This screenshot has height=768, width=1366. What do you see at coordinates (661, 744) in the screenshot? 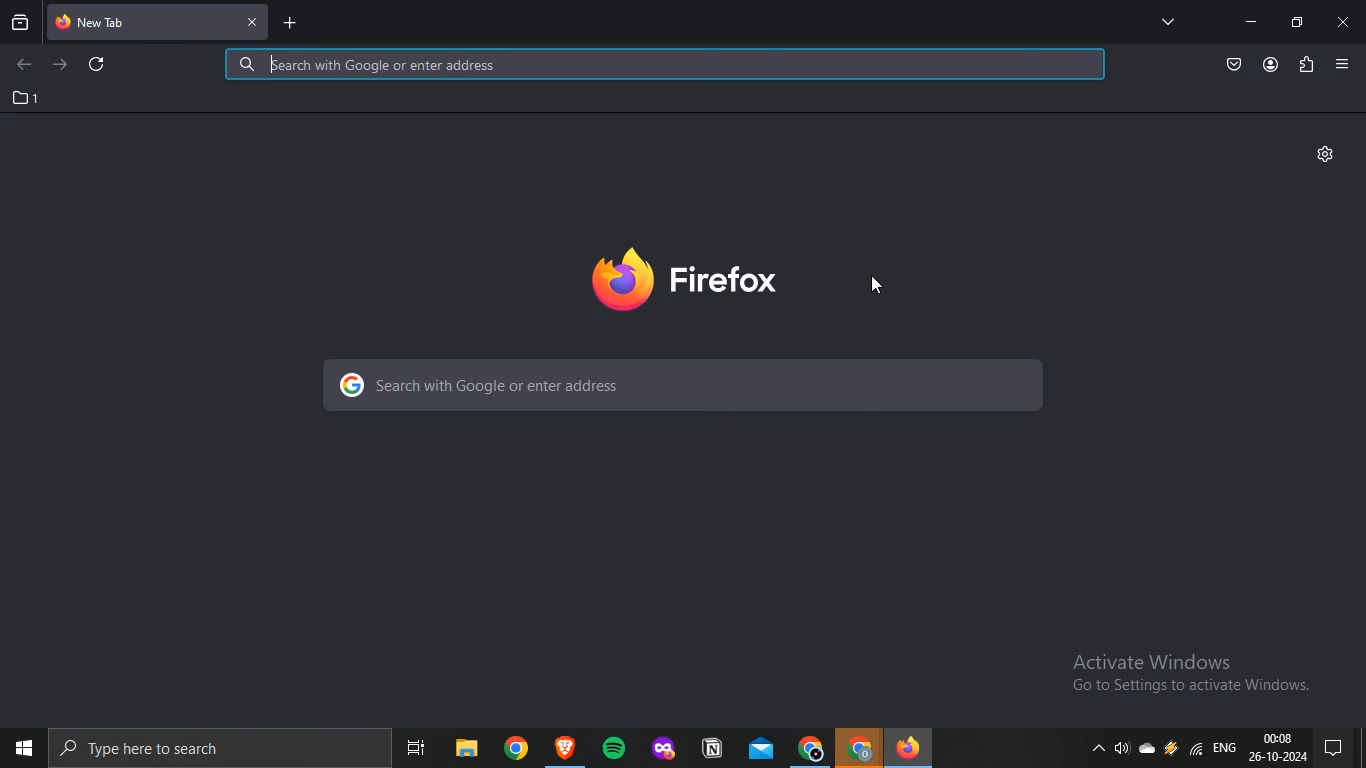
I see `app icon` at bounding box center [661, 744].